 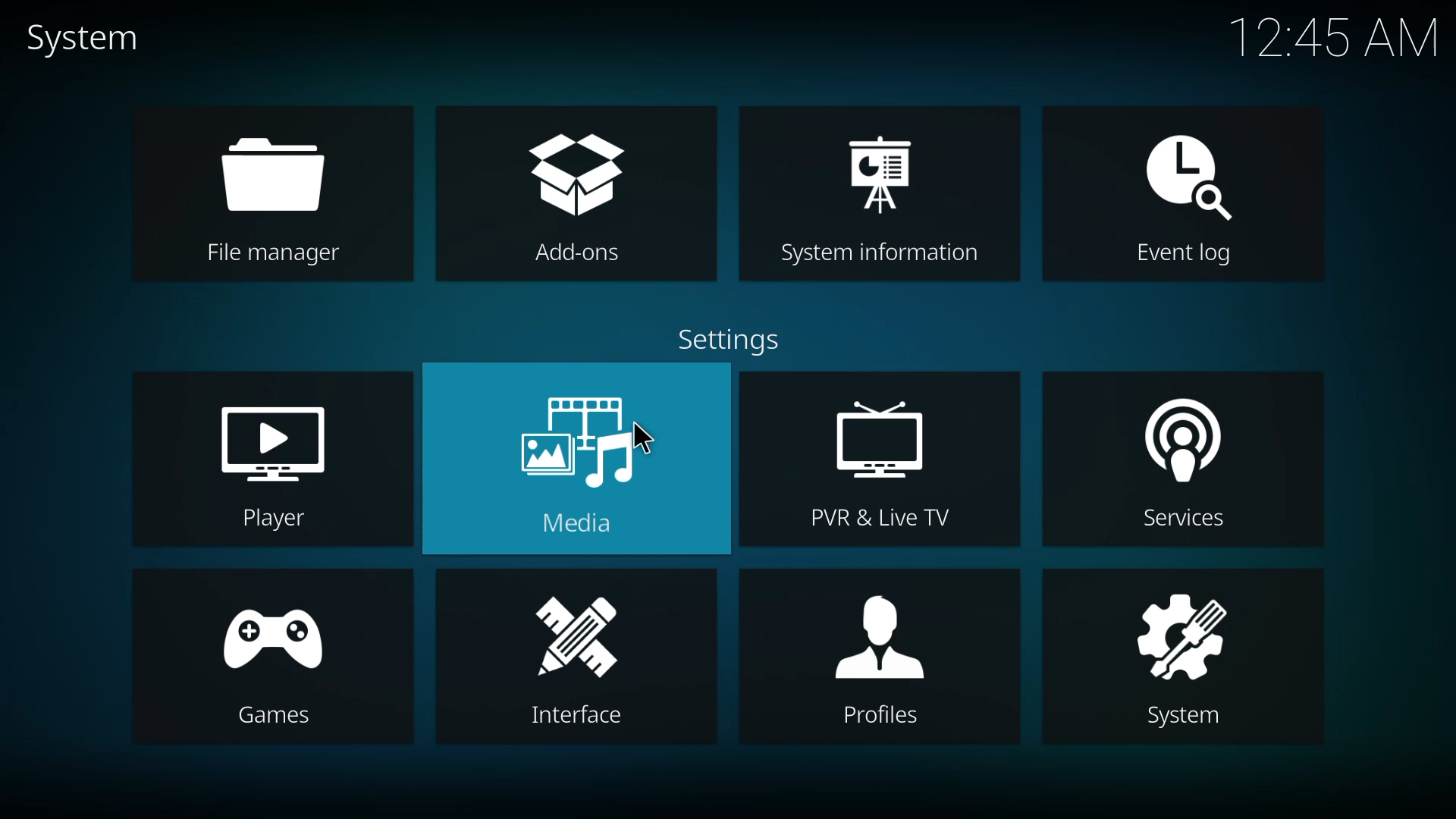 I want to click on add-ons, so click(x=579, y=196).